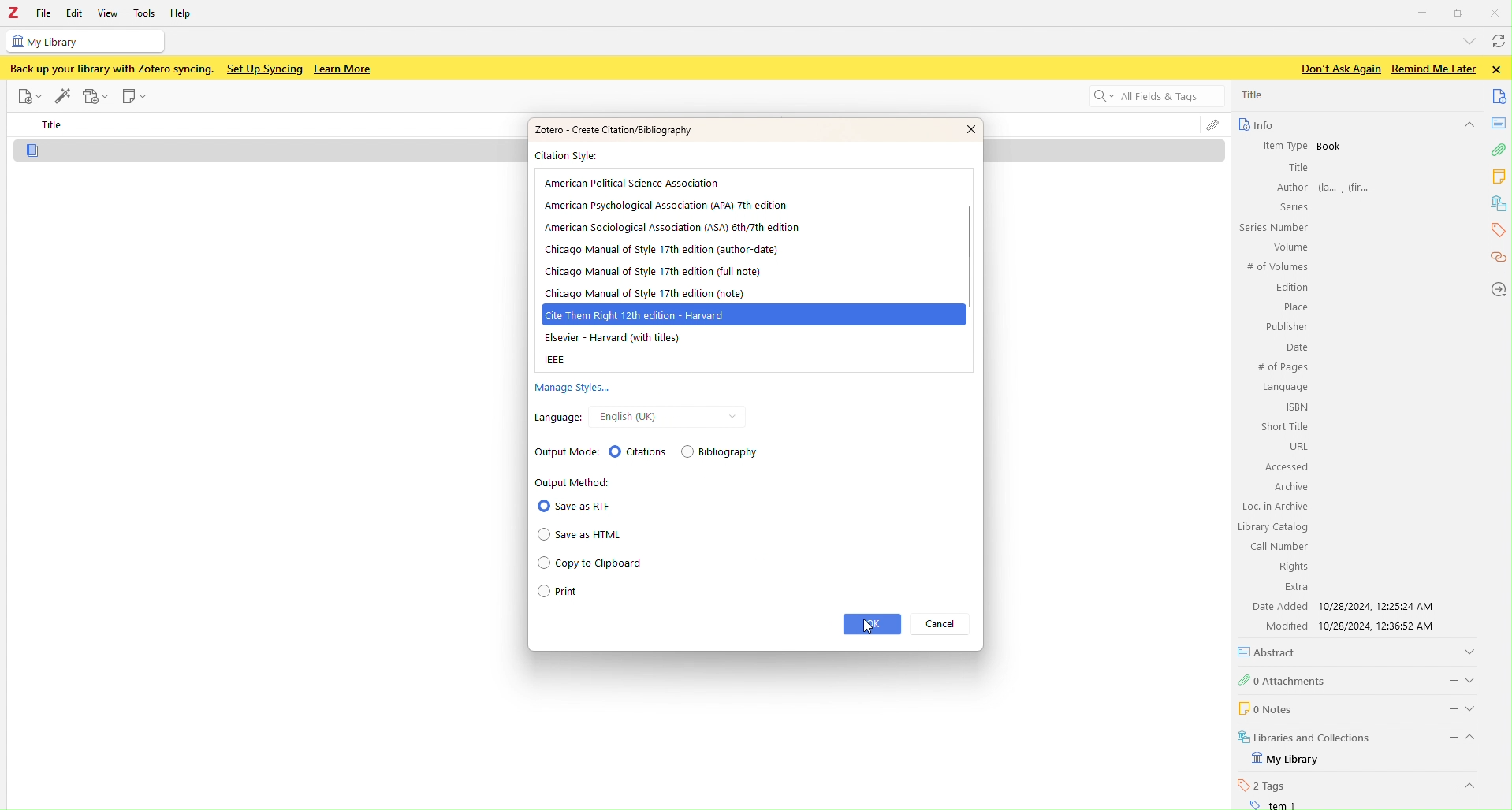 Image resolution: width=1512 pixels, height=810 pixels. I want to click on ‘Volume, so click(1288, 247).